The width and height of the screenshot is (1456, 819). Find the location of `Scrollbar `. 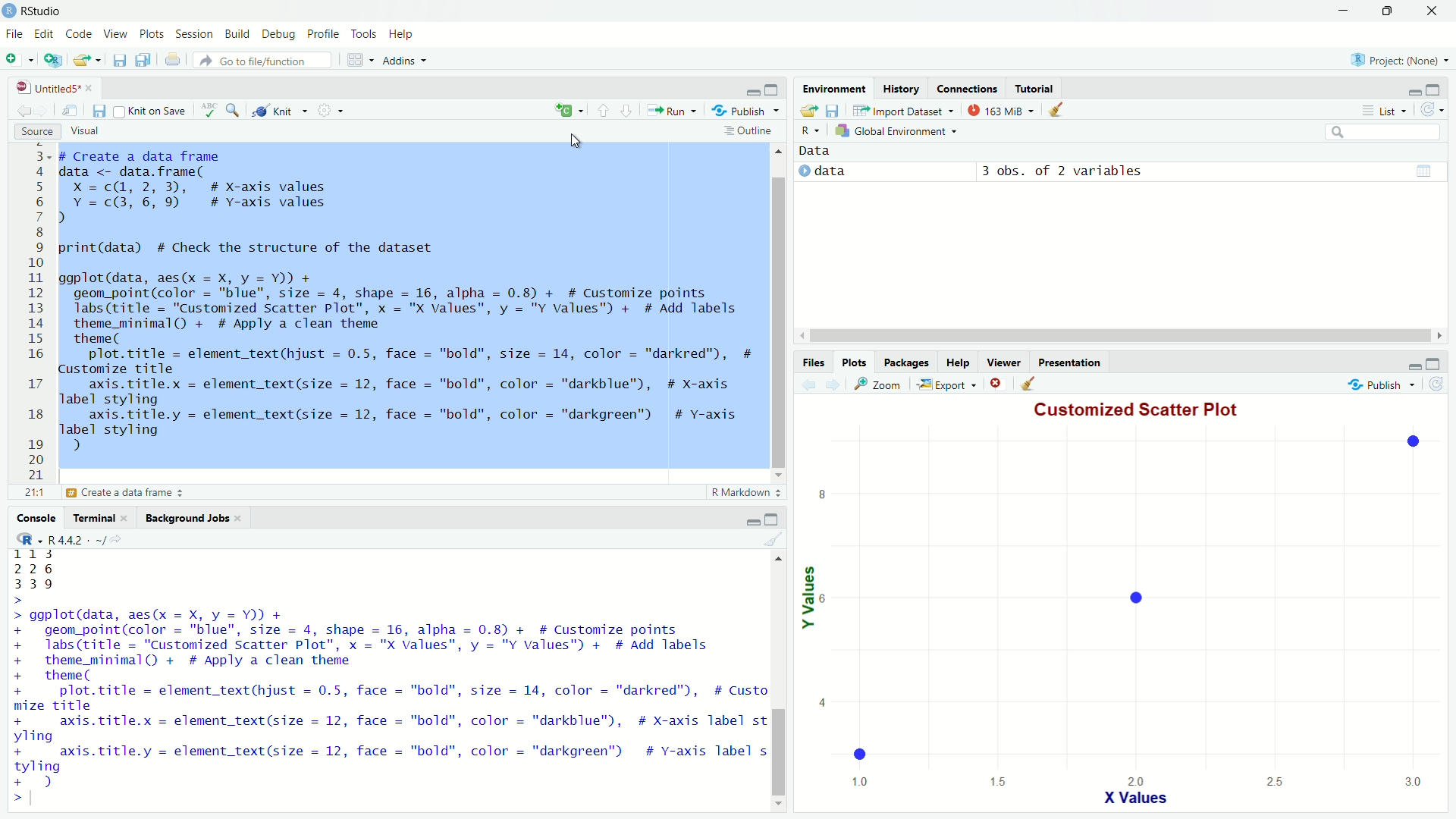

Scrollbar  is located at coordinates (778, 312).